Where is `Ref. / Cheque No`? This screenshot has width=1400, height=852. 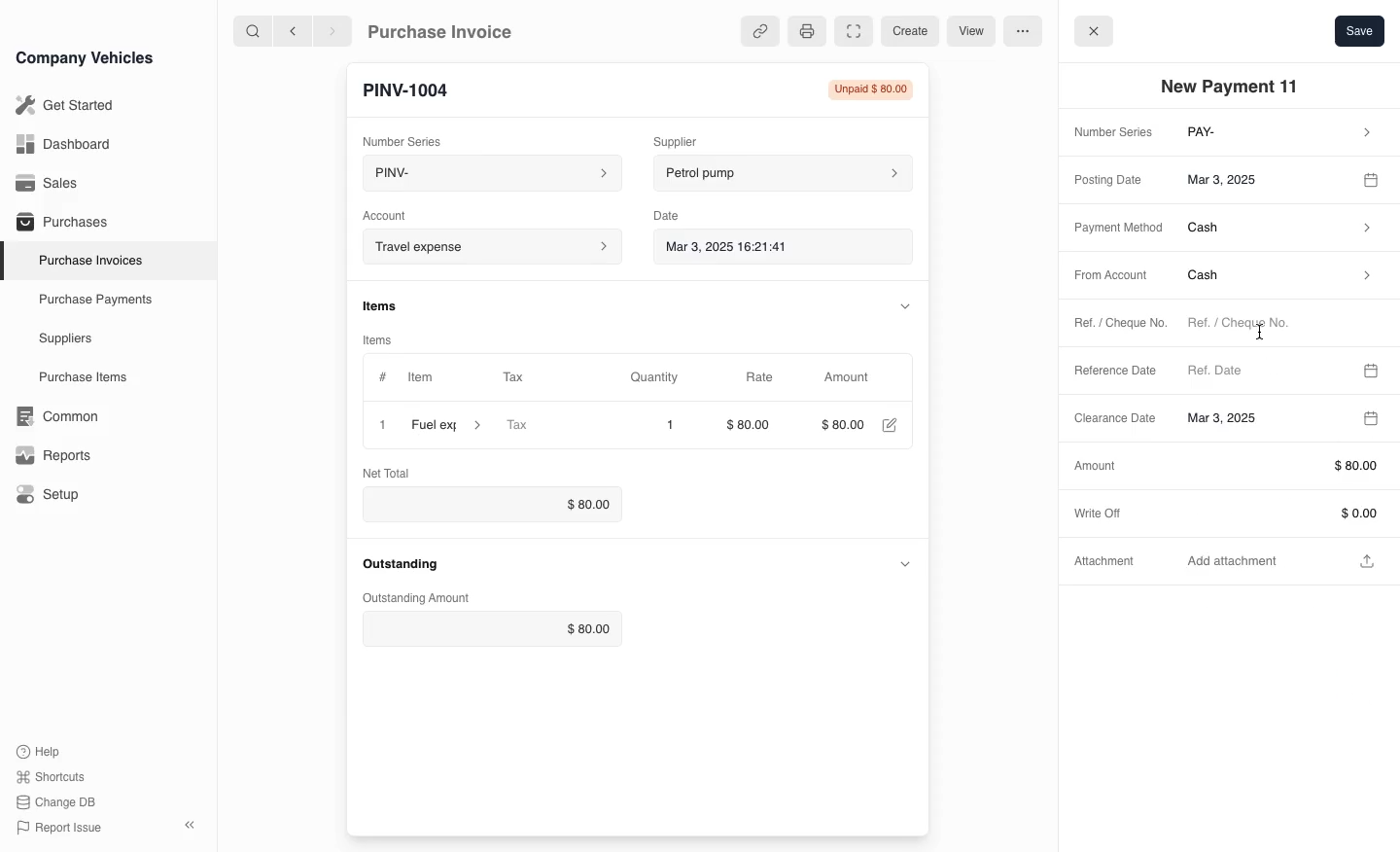
Ref. / Cheque No is located at coordinates (1110, 325).